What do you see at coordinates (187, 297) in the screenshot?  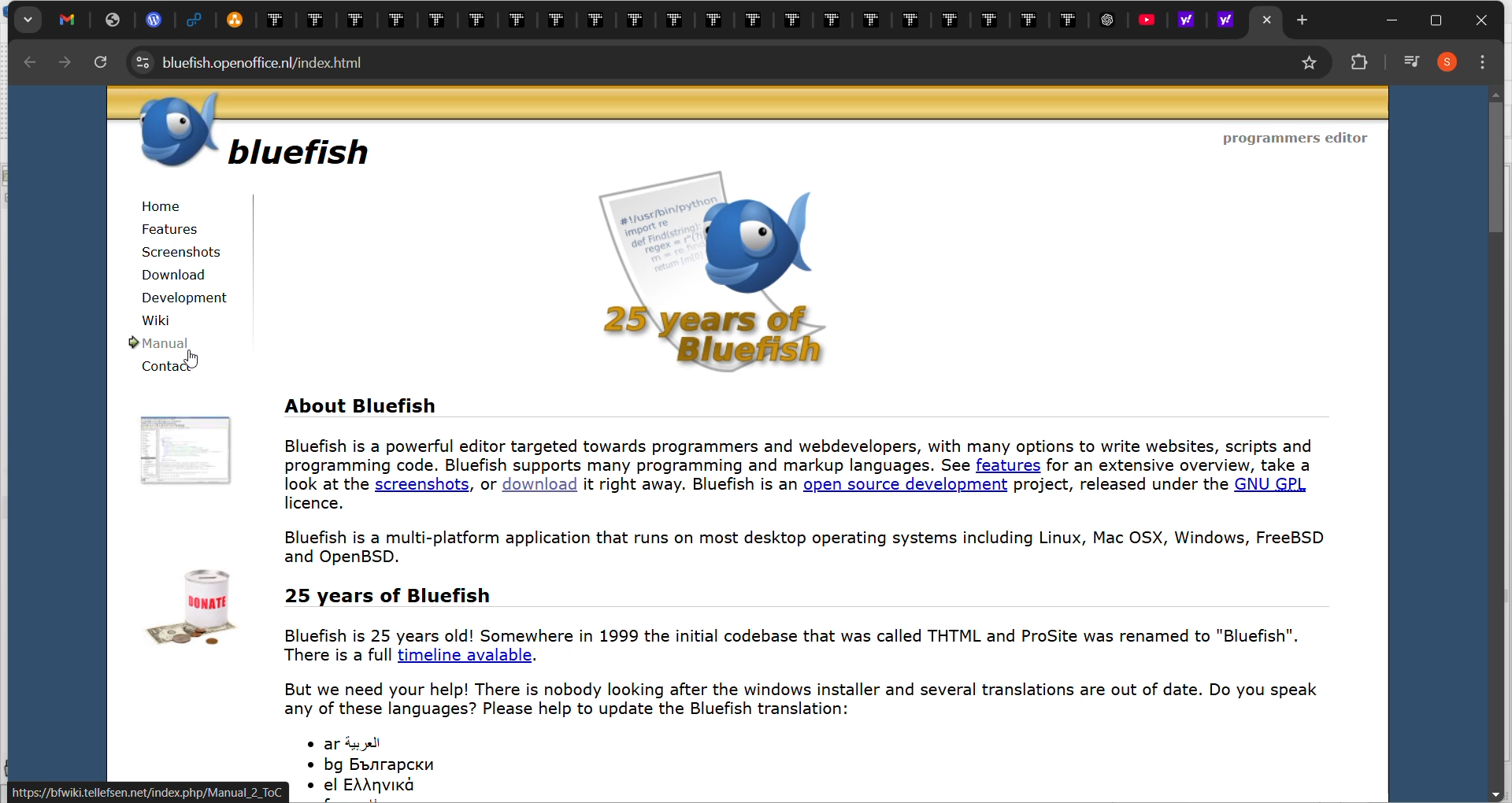 I see `development` at bounding box center [187, 297].